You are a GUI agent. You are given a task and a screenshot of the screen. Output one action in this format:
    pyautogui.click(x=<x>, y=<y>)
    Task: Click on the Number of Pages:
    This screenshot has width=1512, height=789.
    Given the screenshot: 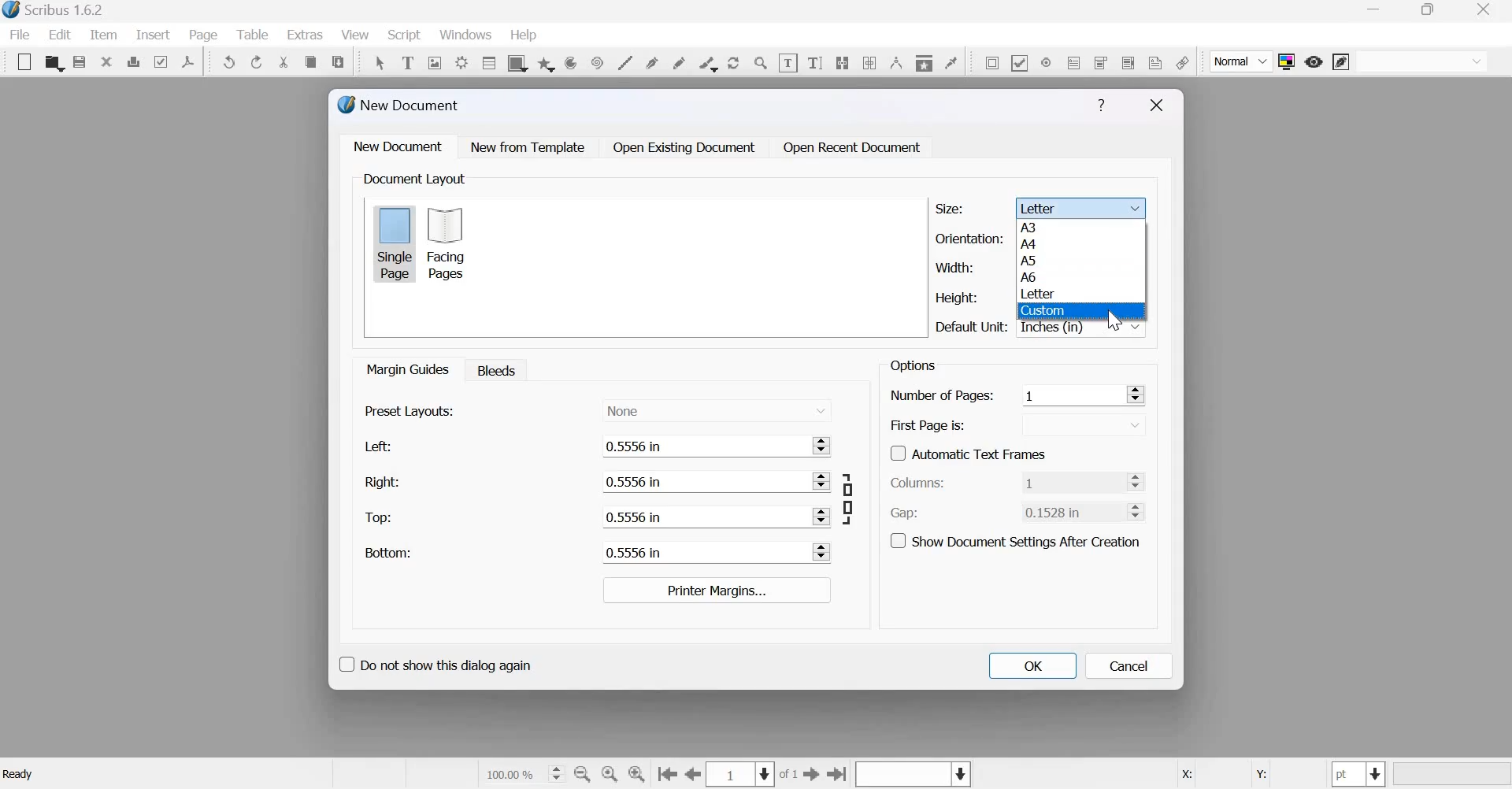 What is the action you would take?
    pyautogui.click(x=942, y=397)
    